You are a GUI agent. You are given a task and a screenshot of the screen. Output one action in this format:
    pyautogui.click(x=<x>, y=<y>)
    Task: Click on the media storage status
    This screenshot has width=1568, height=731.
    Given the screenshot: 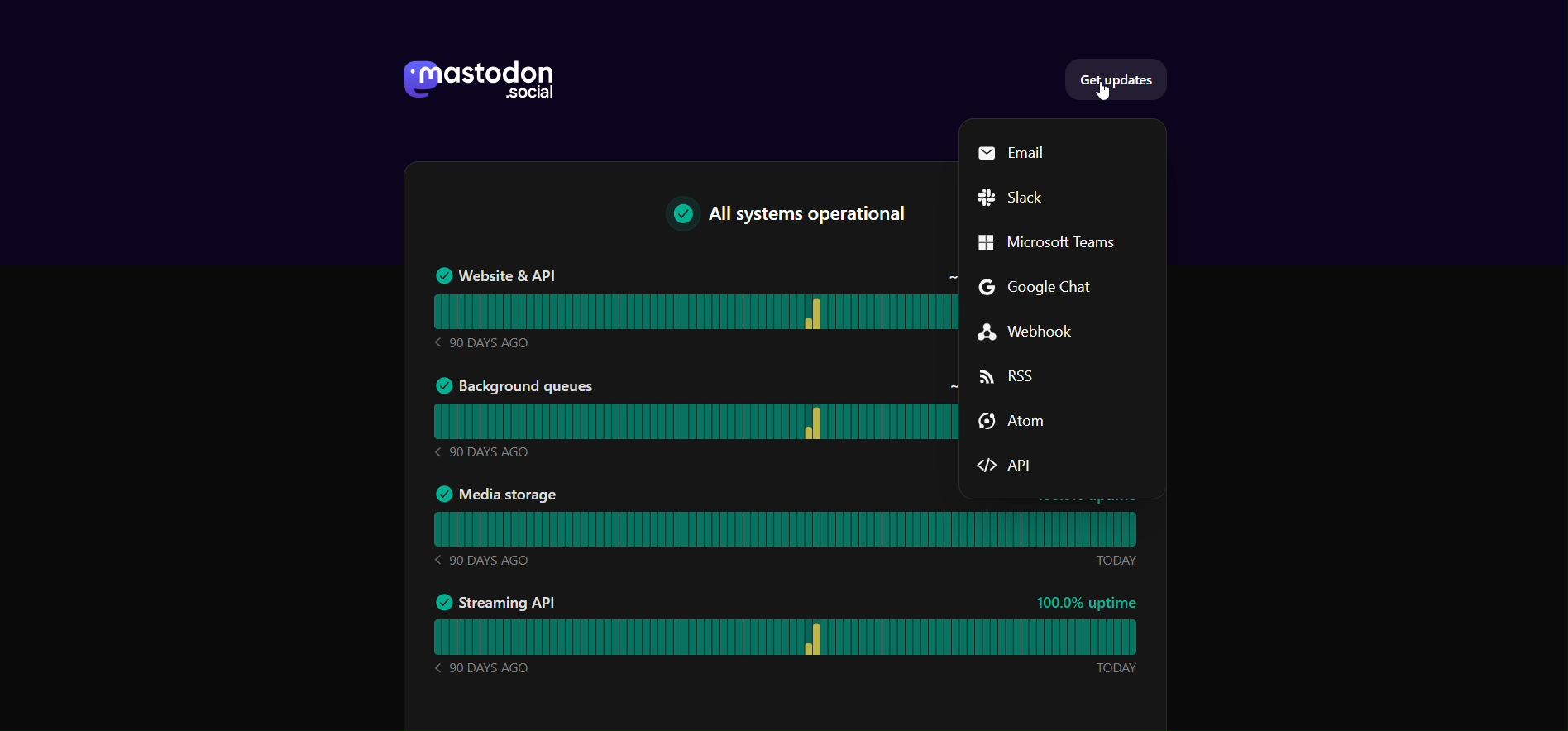 What is the action you would take?
    pyautogui.click(x=786, y=528)
    